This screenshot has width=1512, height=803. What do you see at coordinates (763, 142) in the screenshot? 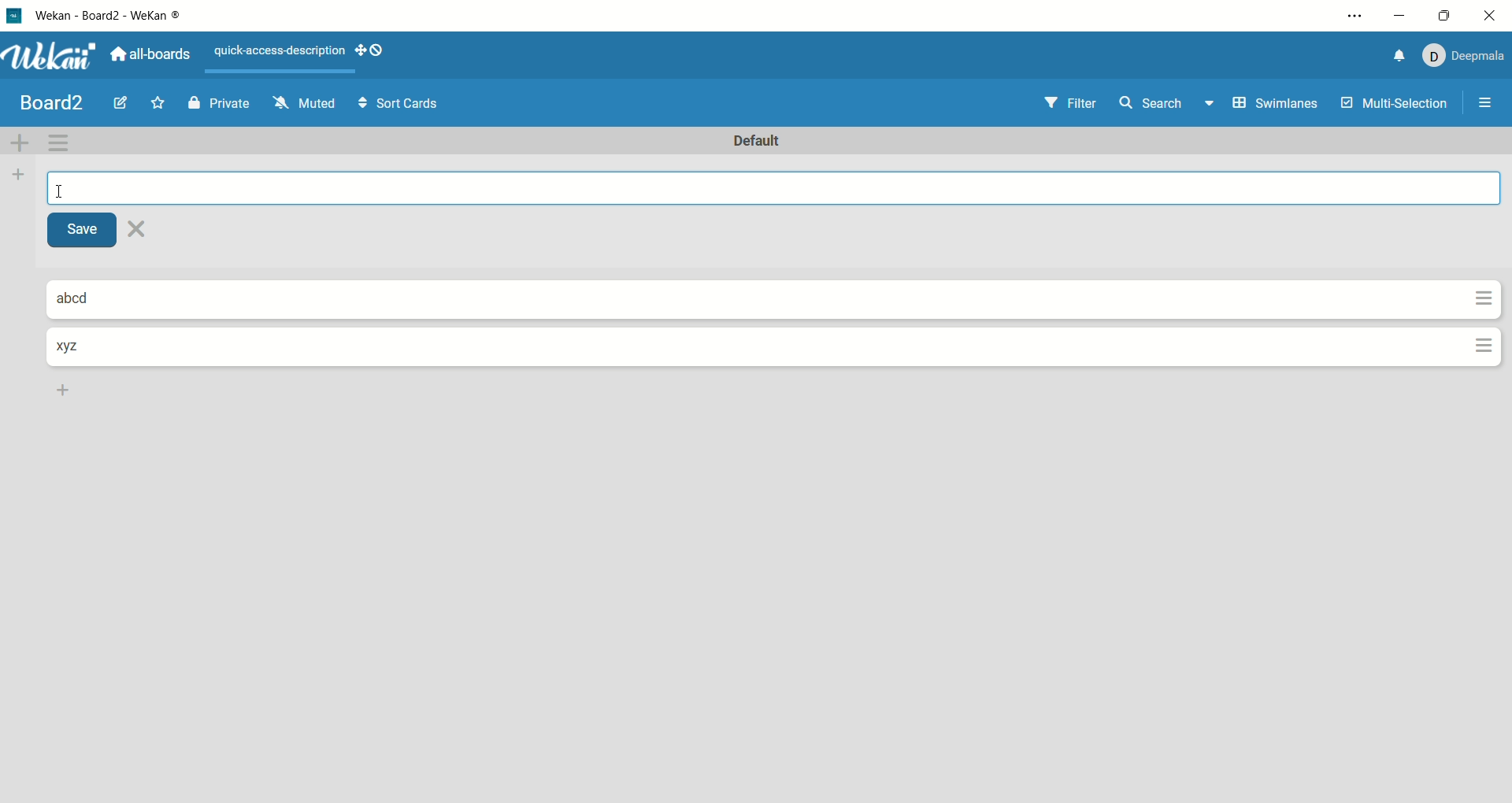
I see `default` at bounding box center [763, 142].